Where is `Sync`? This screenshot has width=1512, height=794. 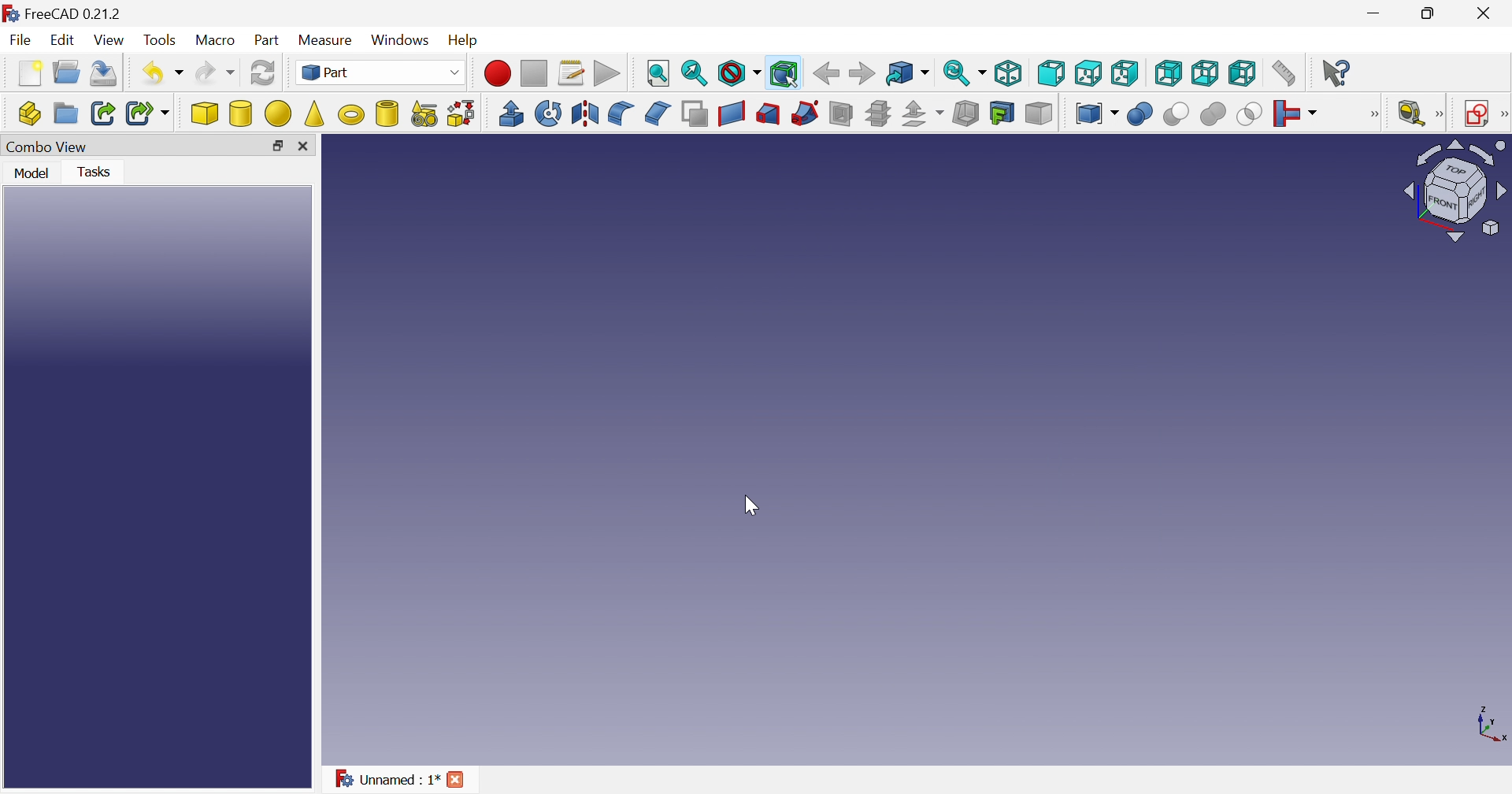 Sync is located at coordinates (966, 72).